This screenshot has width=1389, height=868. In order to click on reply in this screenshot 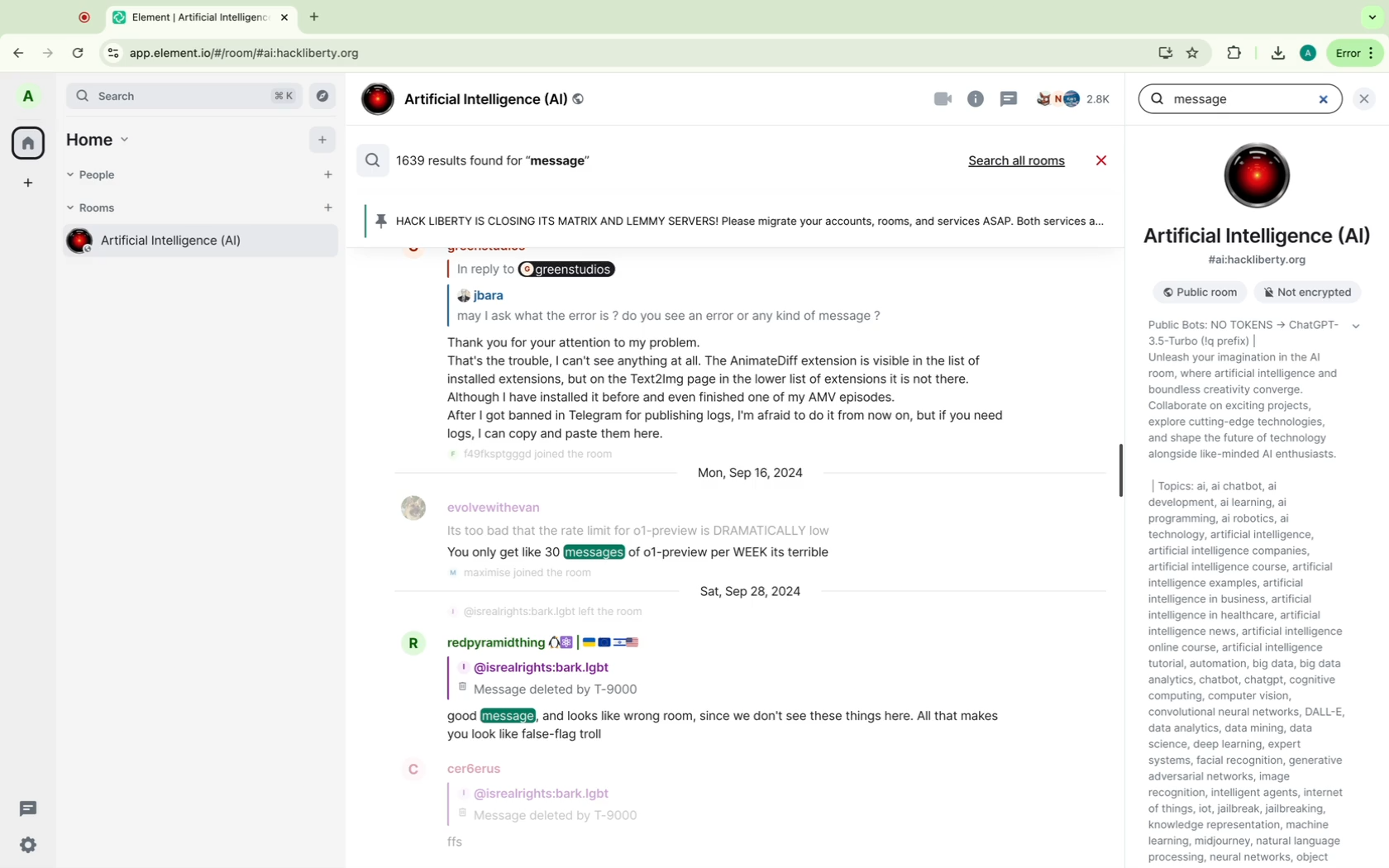, I will do `click(589, 817)`.